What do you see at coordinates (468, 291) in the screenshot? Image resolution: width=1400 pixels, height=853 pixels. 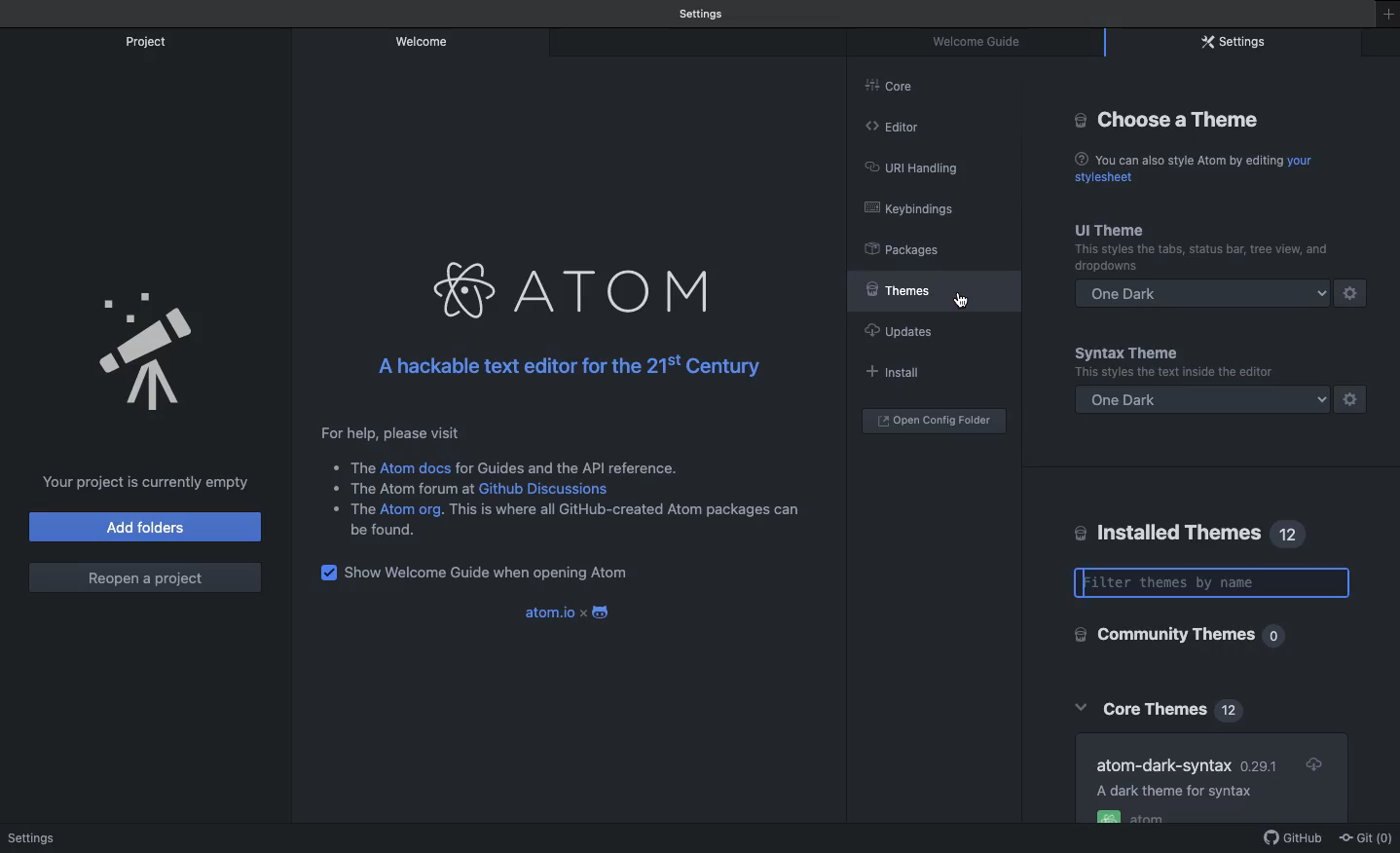 I see `atom logo` at bounding box center [468, 291].